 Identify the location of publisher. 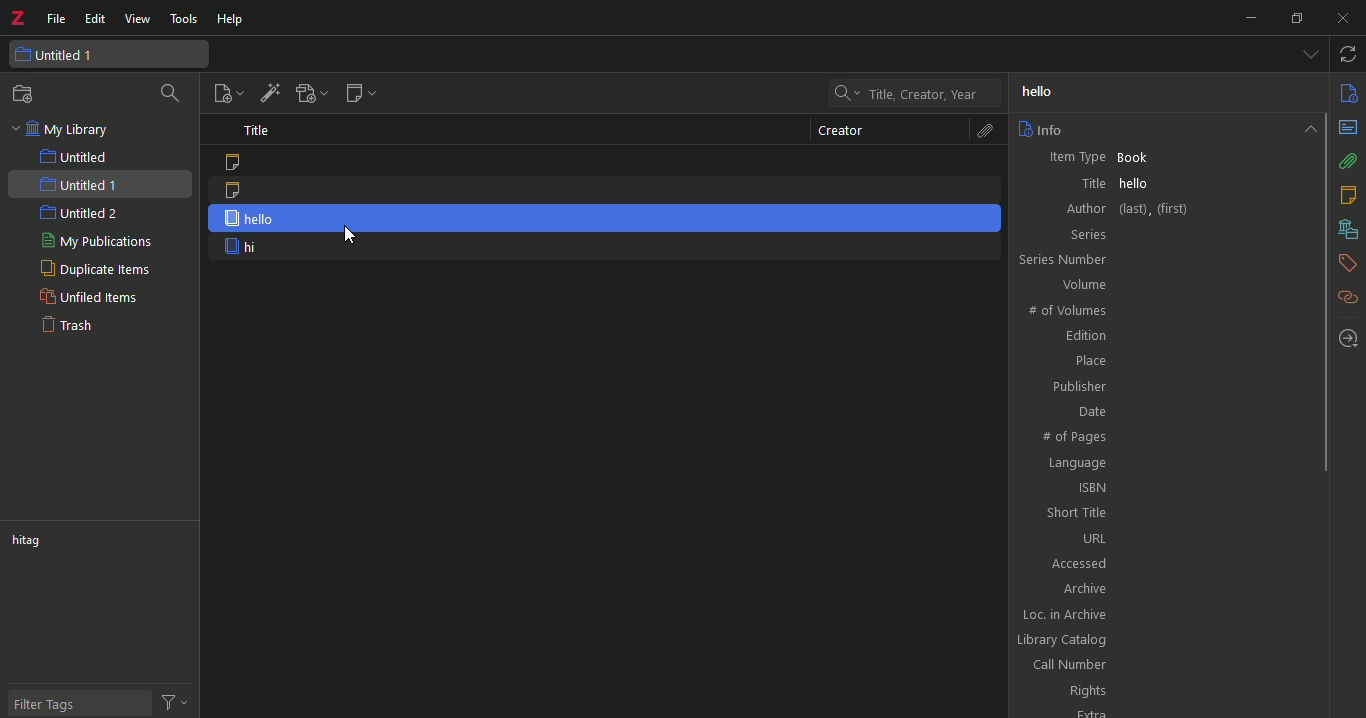
(1080, 387).